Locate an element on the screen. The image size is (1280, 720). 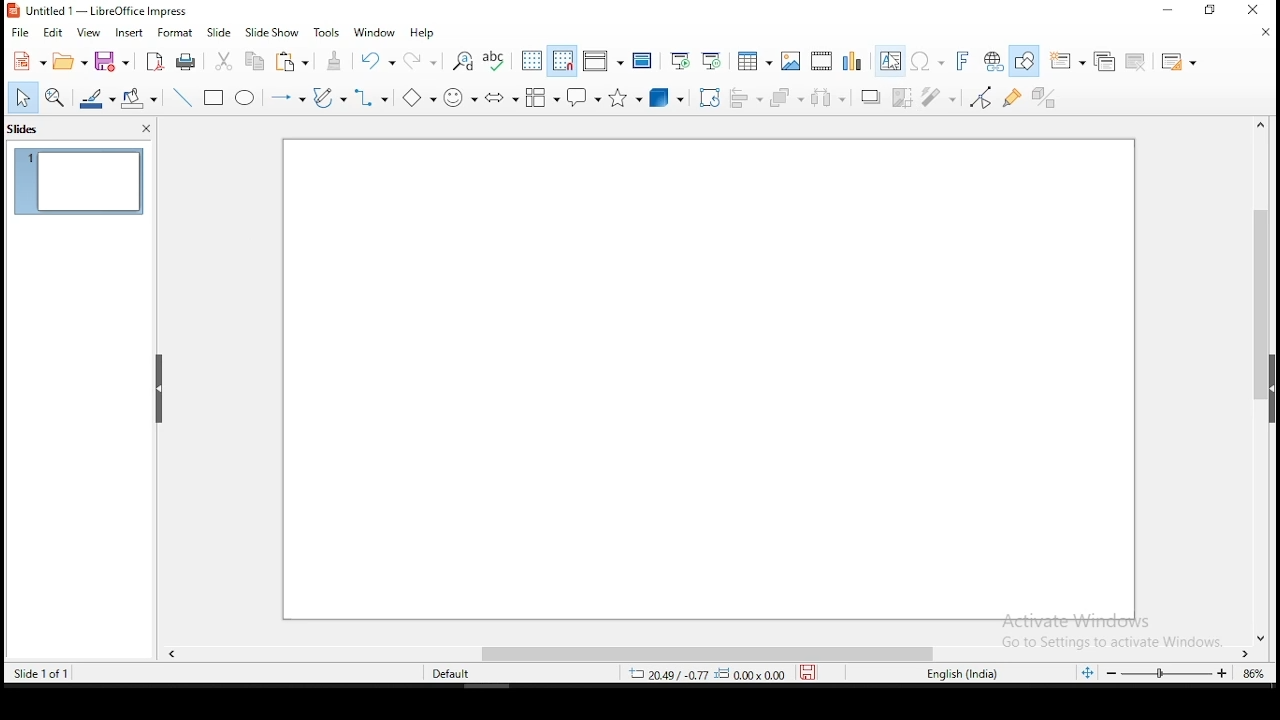
slide 1 of 1 is located at coordinates (49, 676).